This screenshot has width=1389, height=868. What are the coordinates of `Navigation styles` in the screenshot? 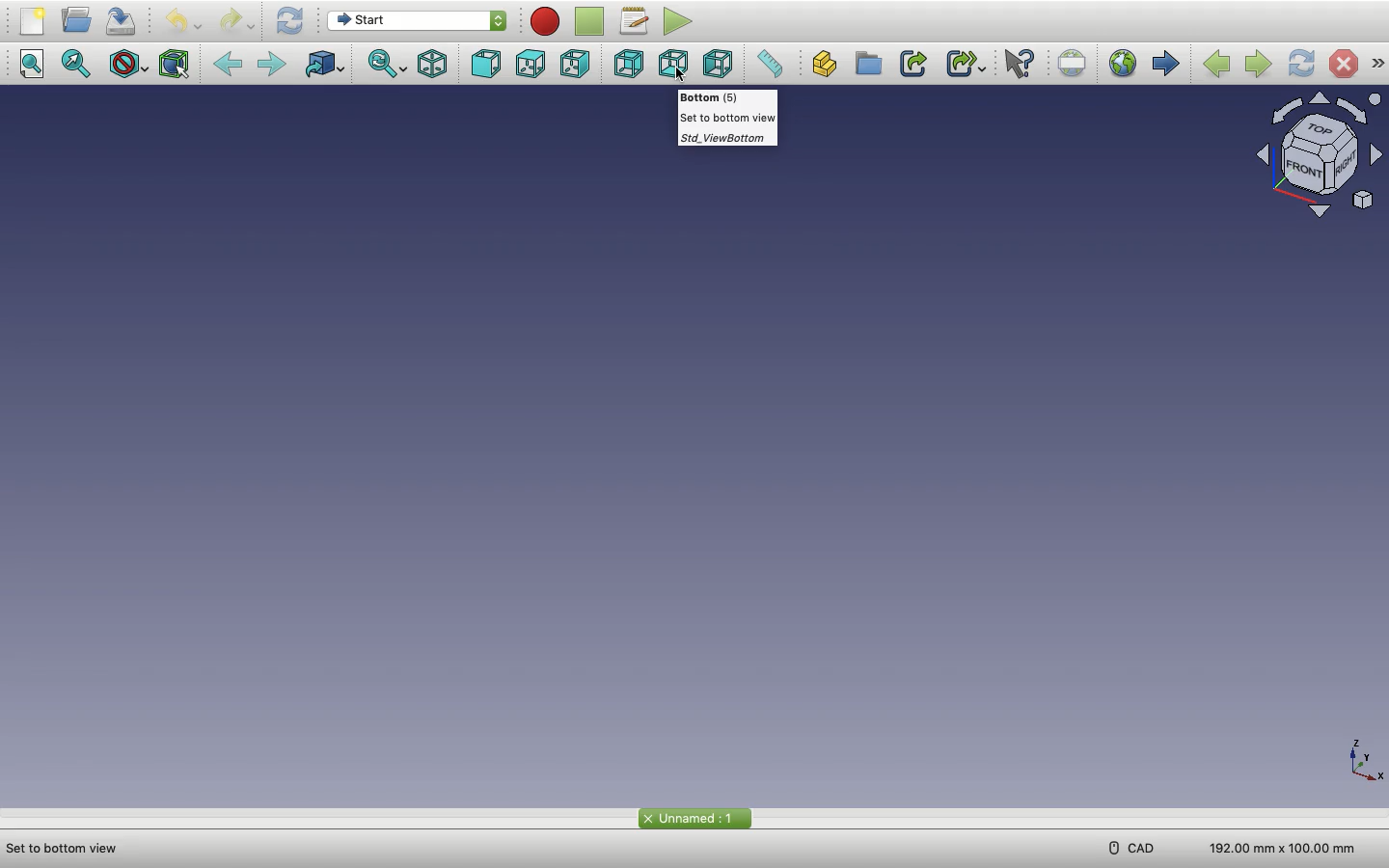 It's located at (1314, 153).